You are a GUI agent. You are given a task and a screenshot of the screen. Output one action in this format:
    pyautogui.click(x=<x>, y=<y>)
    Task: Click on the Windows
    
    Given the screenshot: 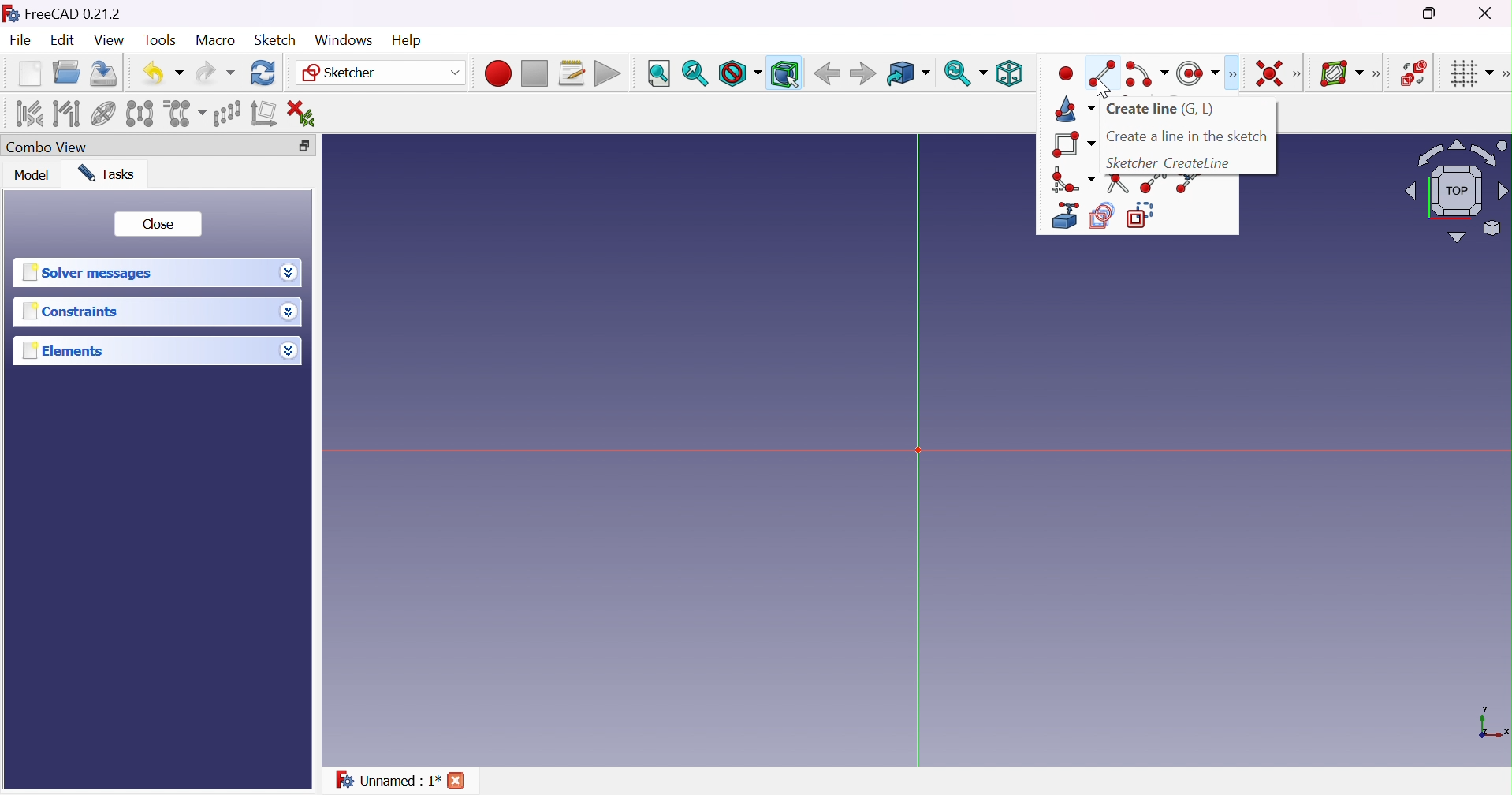 What is the action you would take?
    pyautogui.click(x=342, y=39)
    